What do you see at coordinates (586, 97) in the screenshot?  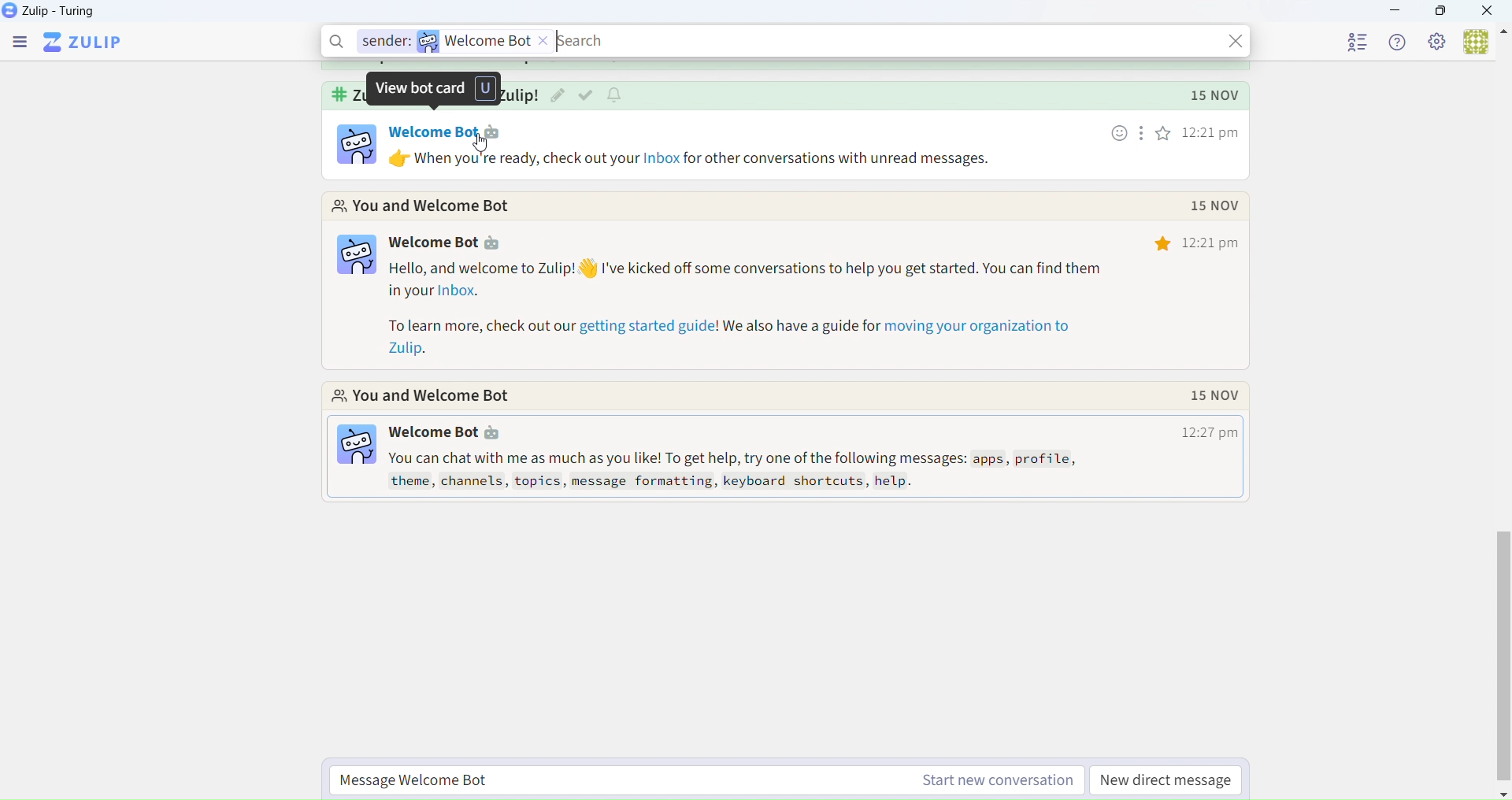 I see `mark` at bounding box center [586, 97].